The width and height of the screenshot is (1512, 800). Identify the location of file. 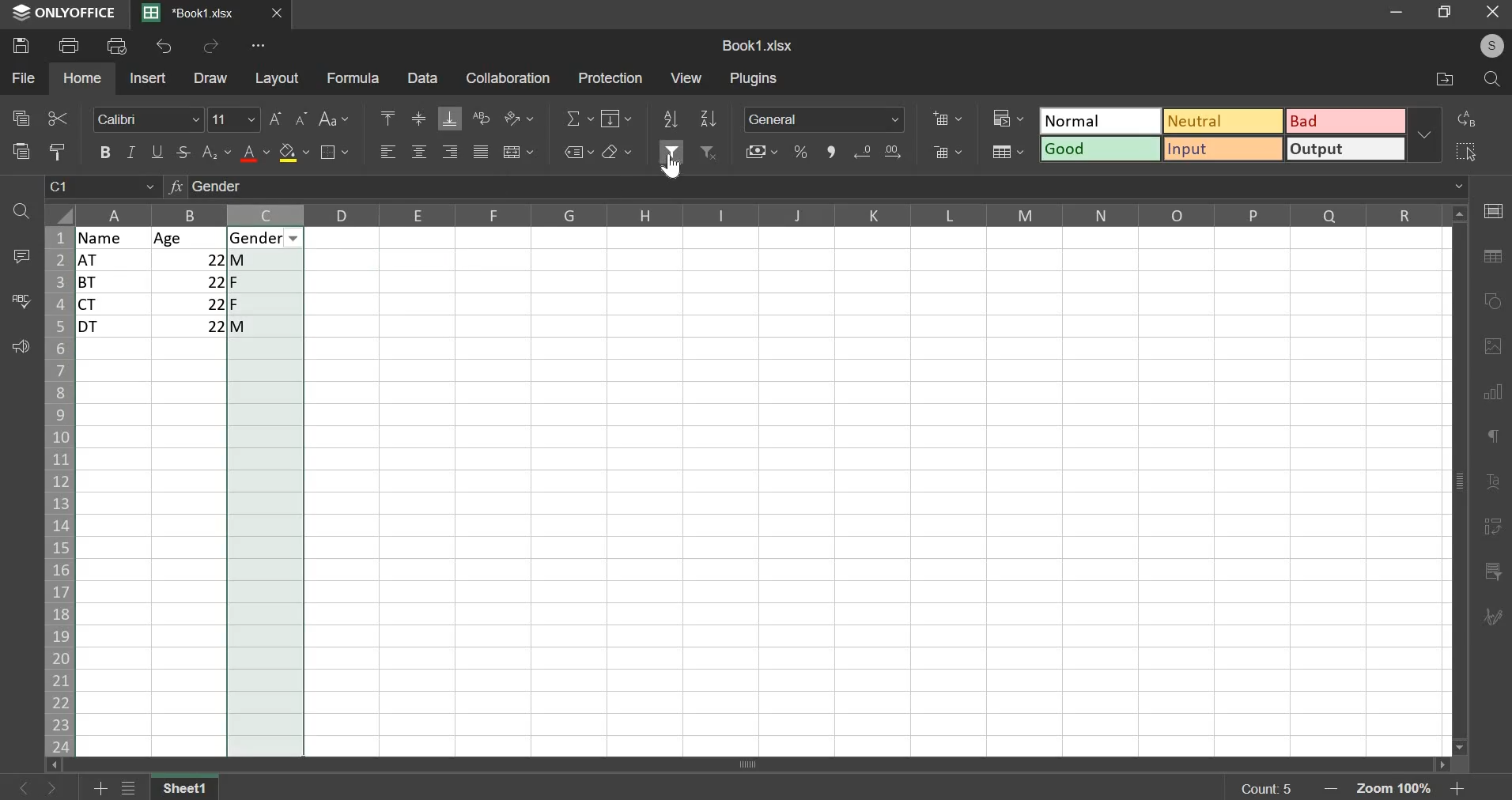
(23, 77).